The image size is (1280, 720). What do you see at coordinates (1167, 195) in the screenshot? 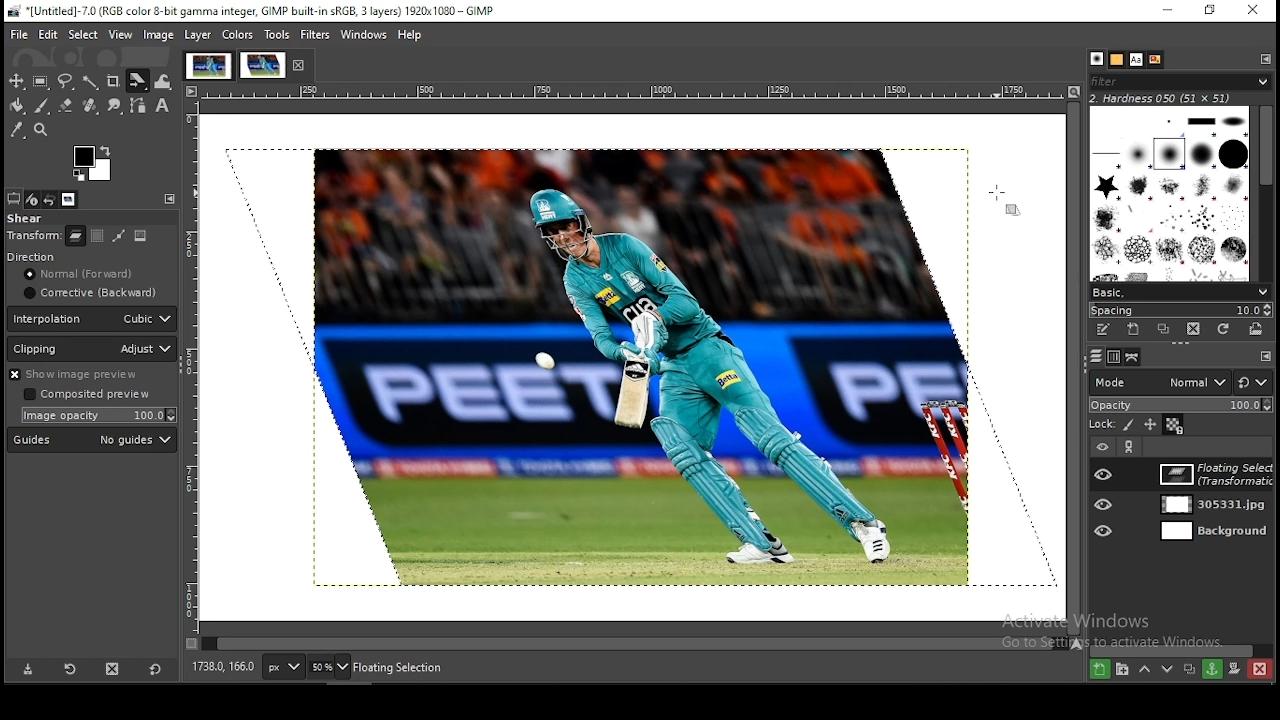
I see `brushes` at bounding box center [1167, 195].